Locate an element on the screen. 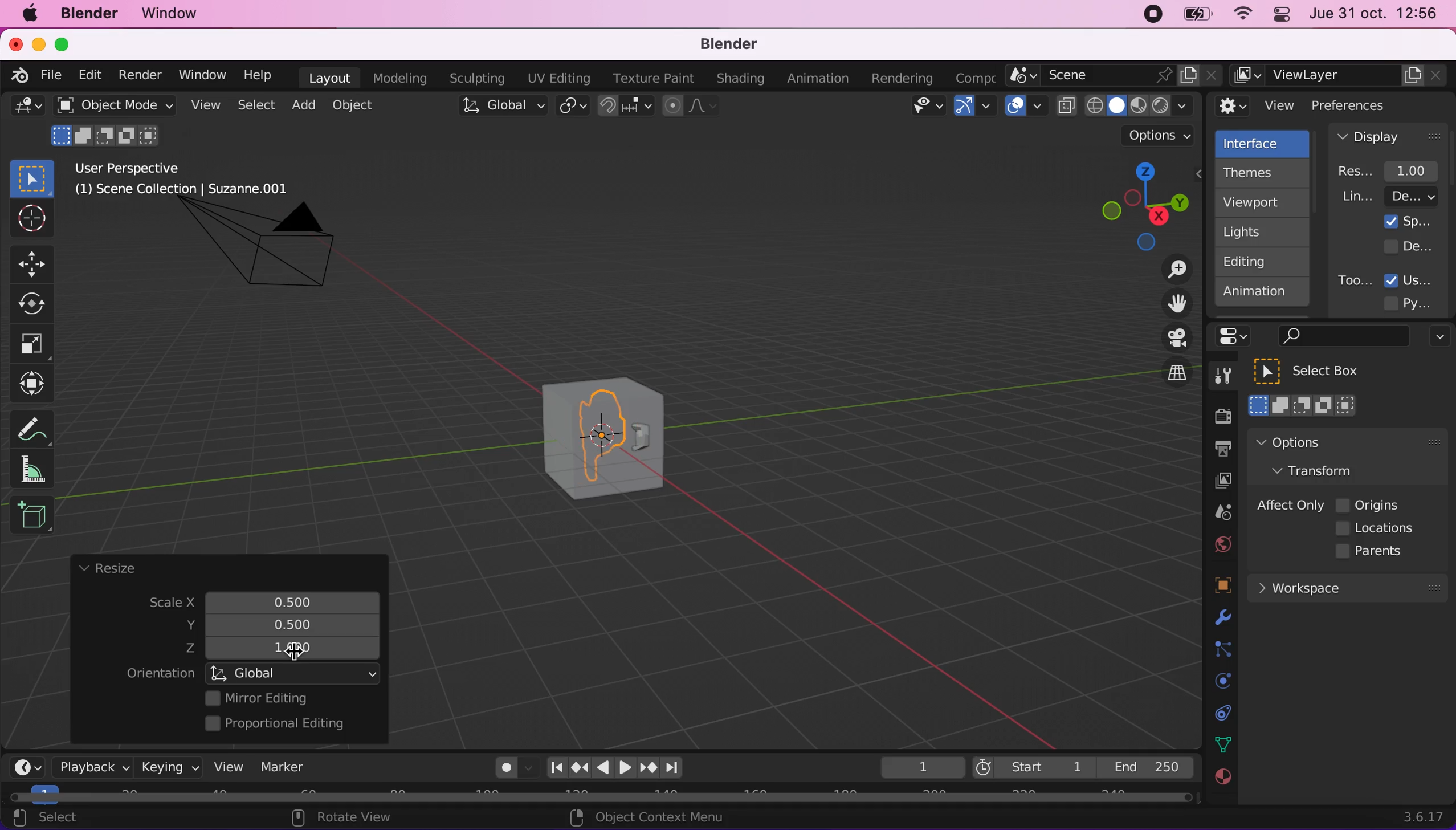  blender is located at coordinates (15, 74).